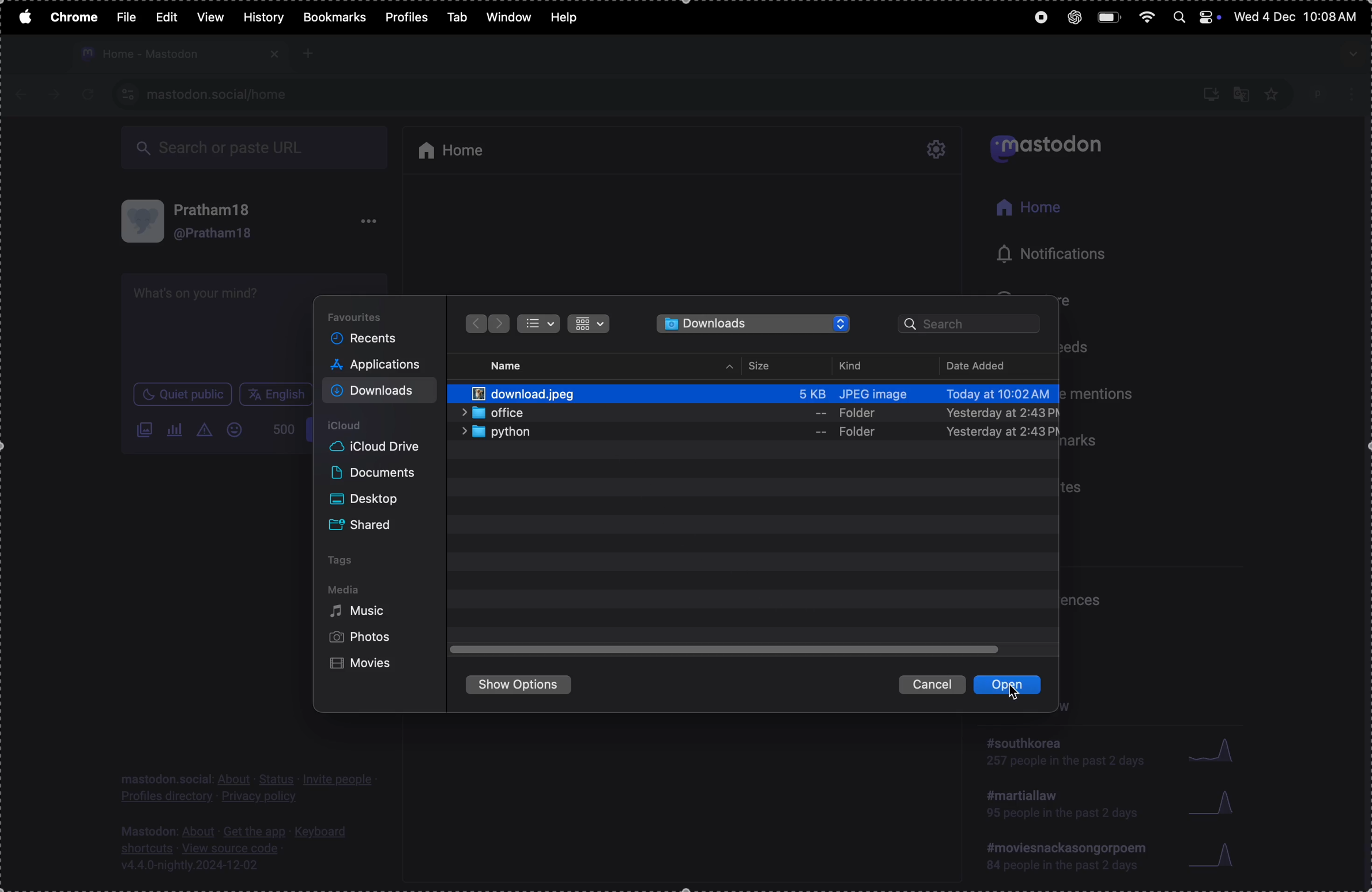 The image size is (1372, 892). What do you see at coordinates (932, 683) in the screenshot?
I see `cancel` at bounding box center [932, 683].